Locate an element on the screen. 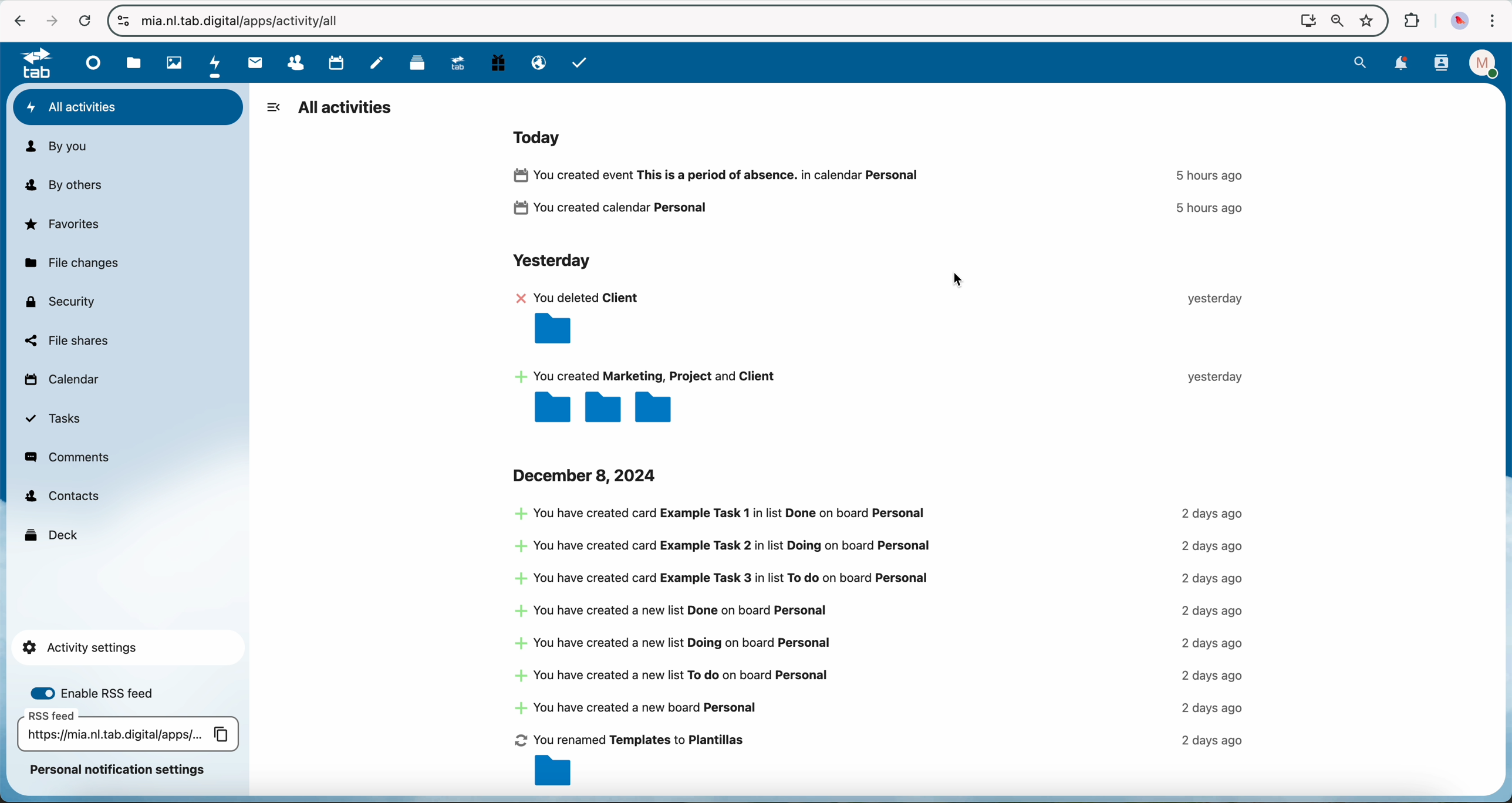  hide sidebar is located at coordinates (273, 107).